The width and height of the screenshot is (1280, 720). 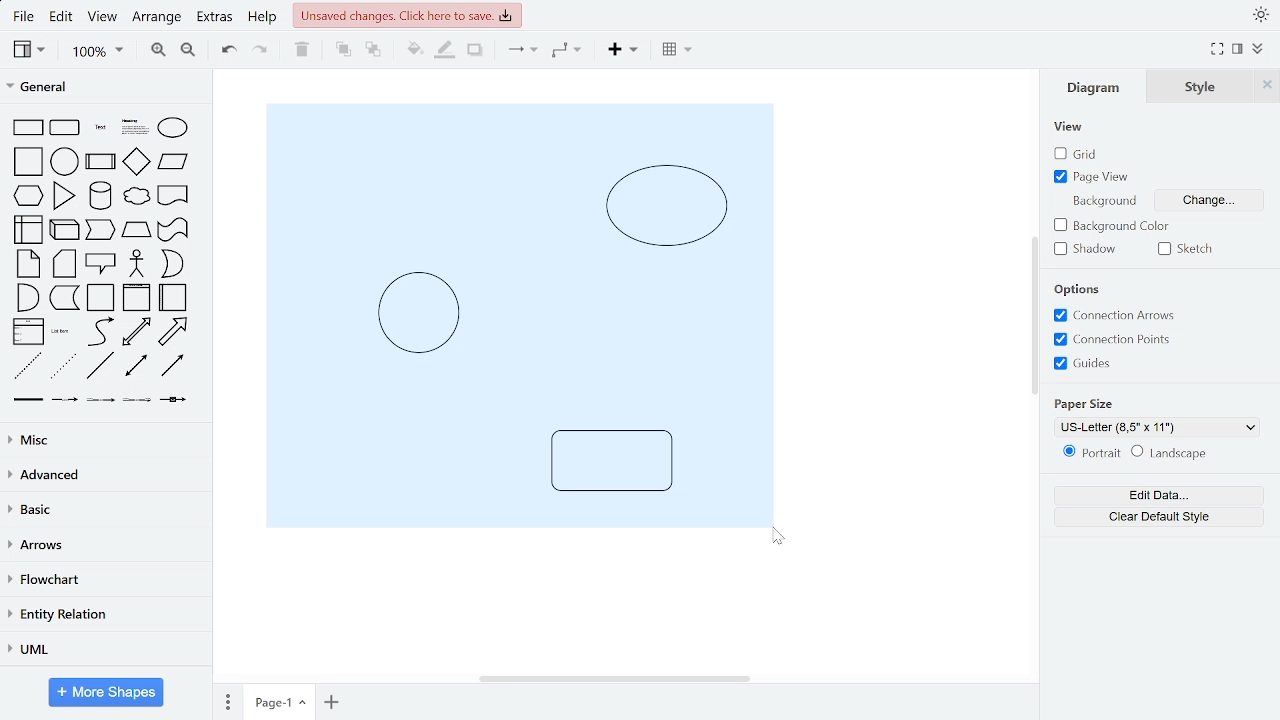 What do you see at coordinates (66, 229) in the screenshot?
I see `cube` at bounding box center [66, 229].